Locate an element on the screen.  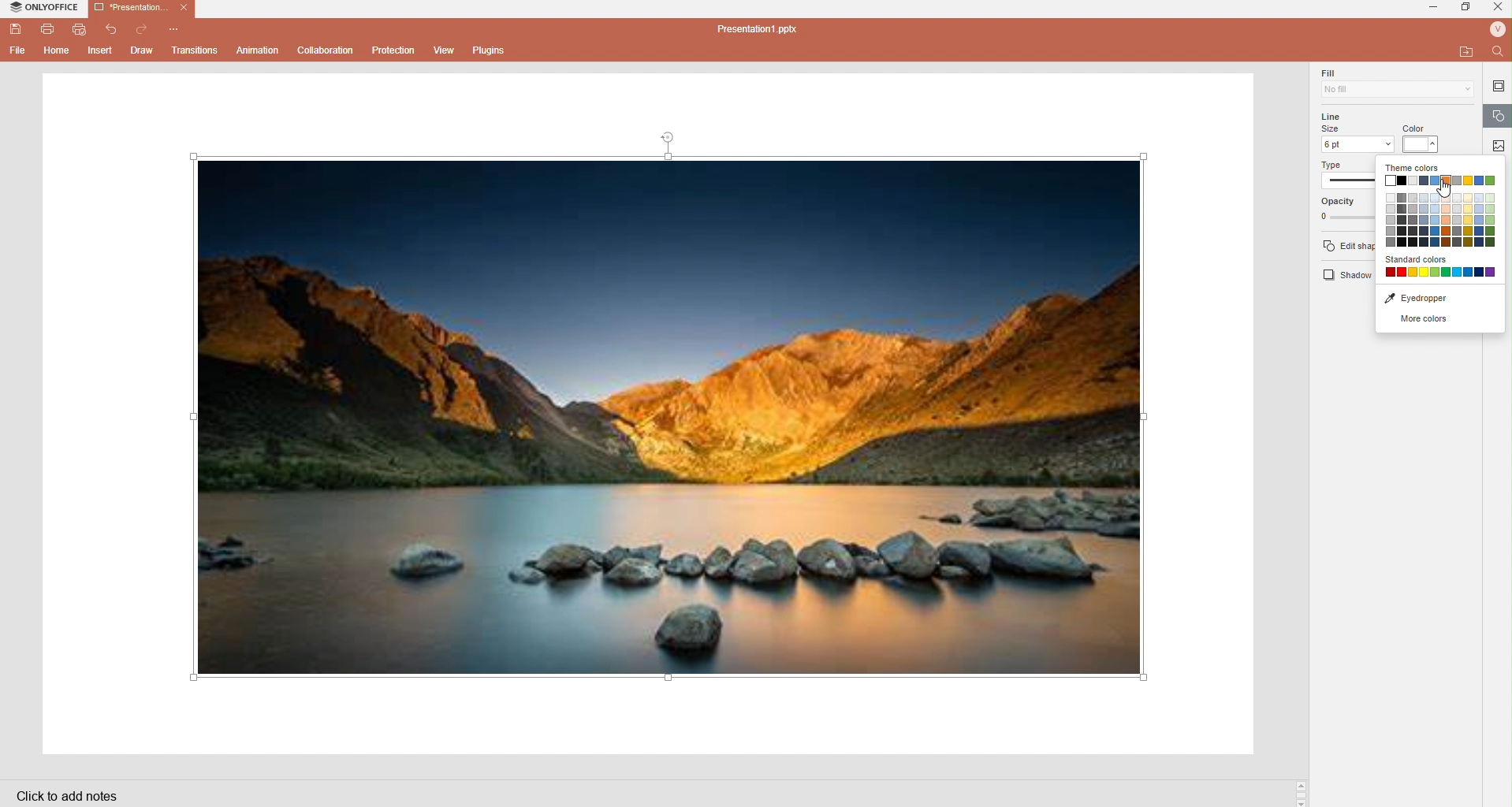
Quickprint is located at coordinates (80, 31).